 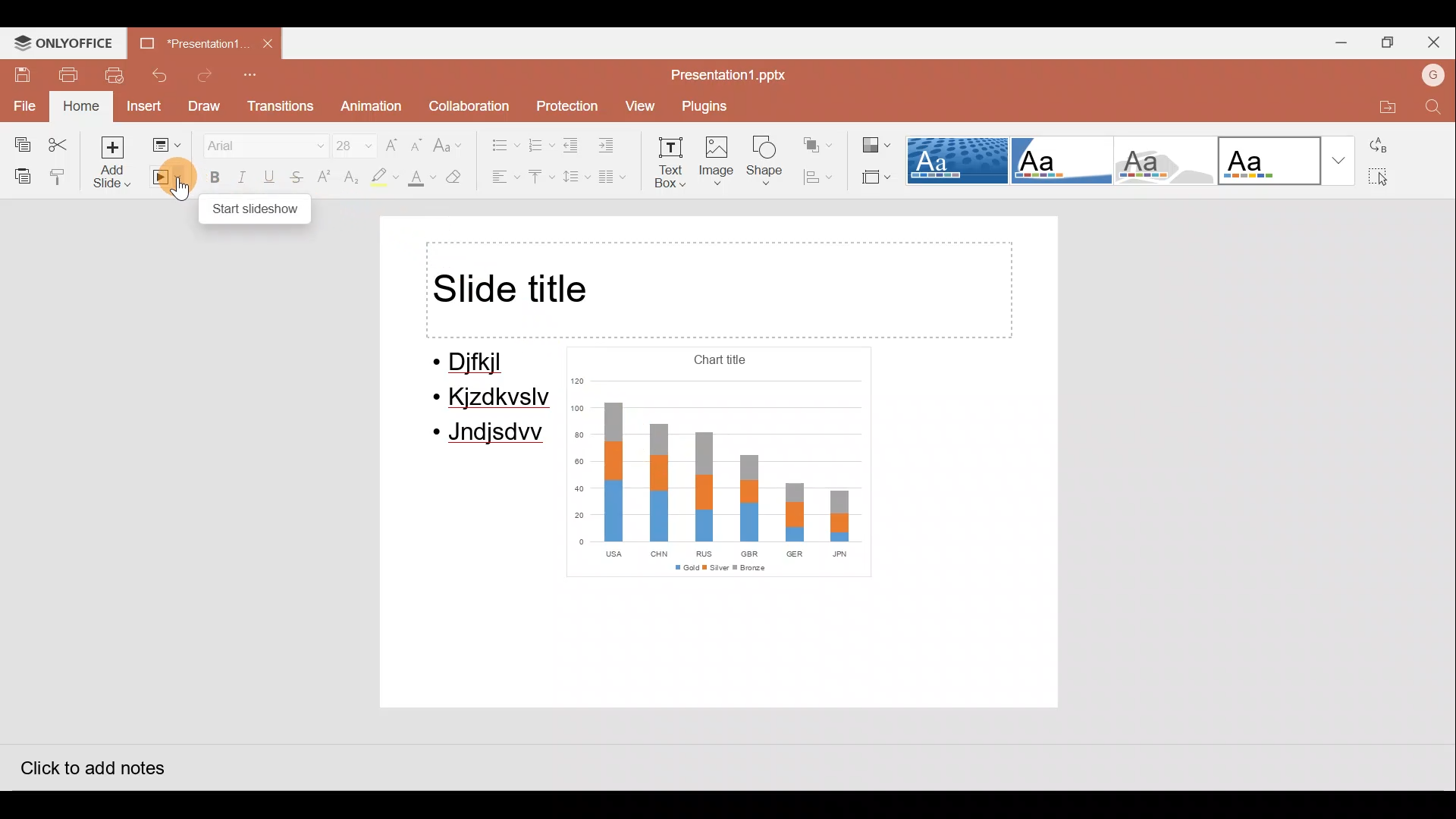 What do you see at coordinates (255, 209) in the screenshot?
I see `start slideshow` at bounding box center [255, 209].